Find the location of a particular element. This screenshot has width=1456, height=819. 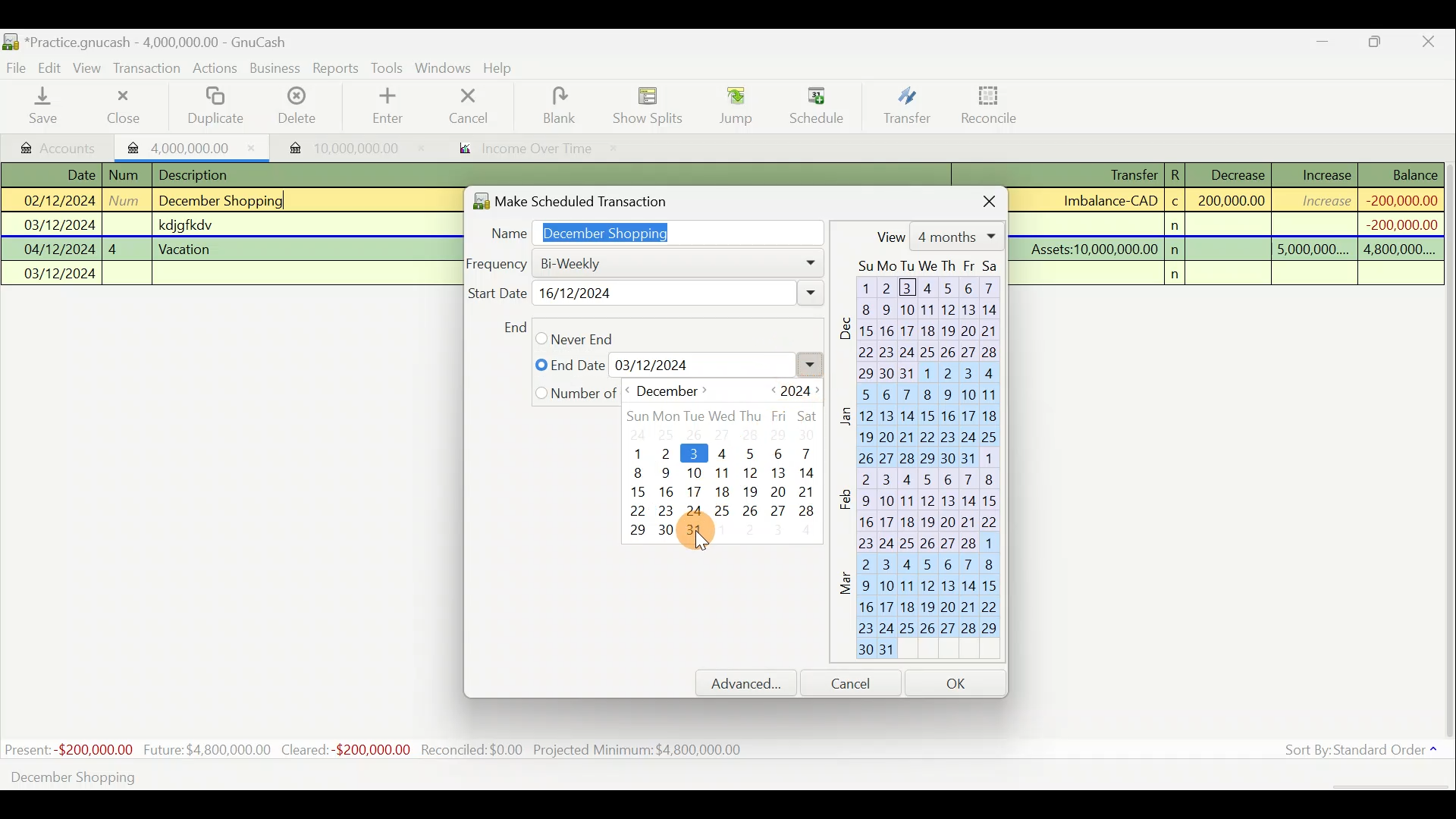

Transaction is located at coordinates (148, 68).